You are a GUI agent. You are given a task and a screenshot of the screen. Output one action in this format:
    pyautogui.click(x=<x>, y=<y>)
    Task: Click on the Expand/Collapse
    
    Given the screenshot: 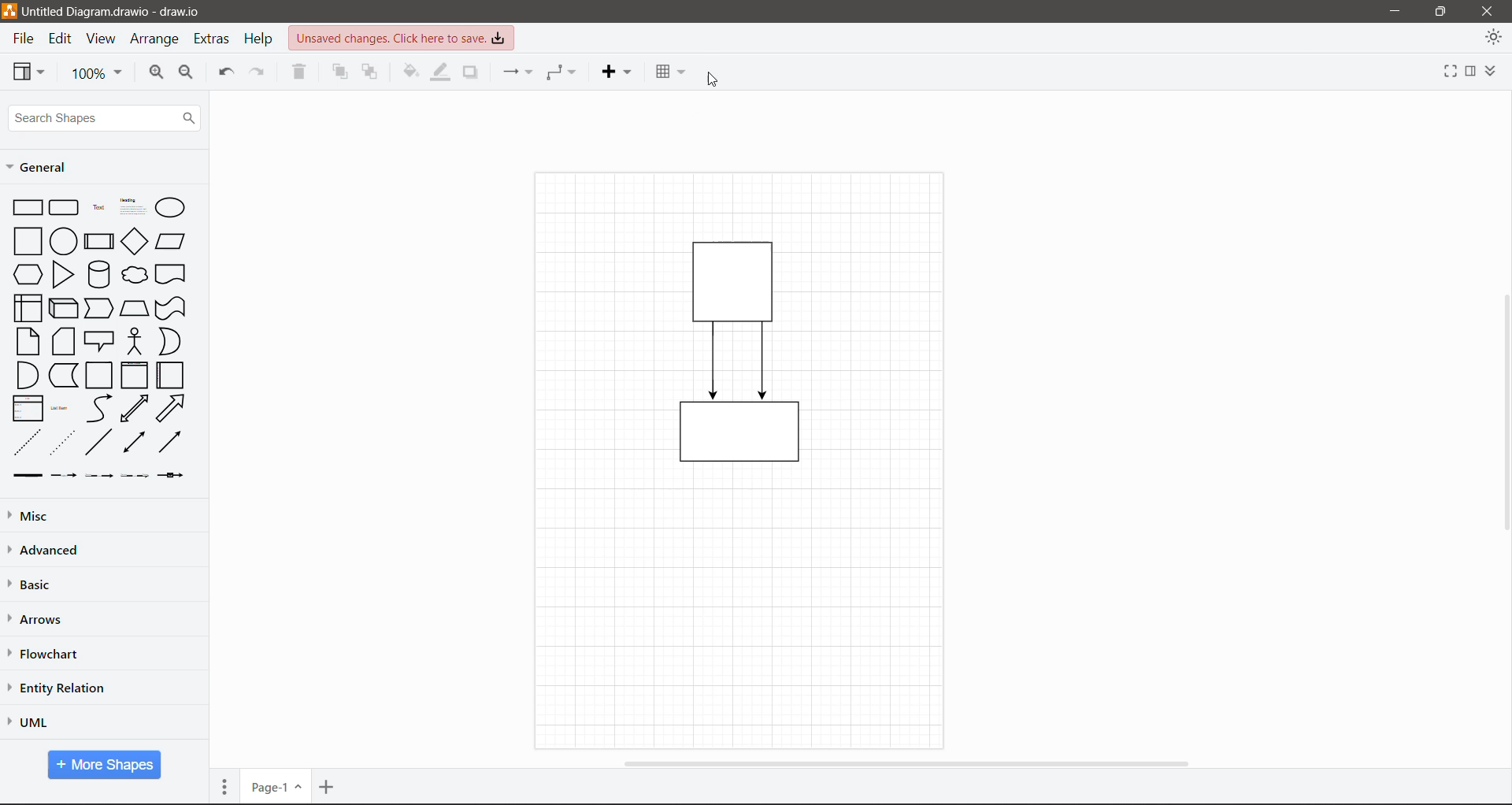 What is the action you would take?
    pyautogui.click(x=1493, y=67)
    